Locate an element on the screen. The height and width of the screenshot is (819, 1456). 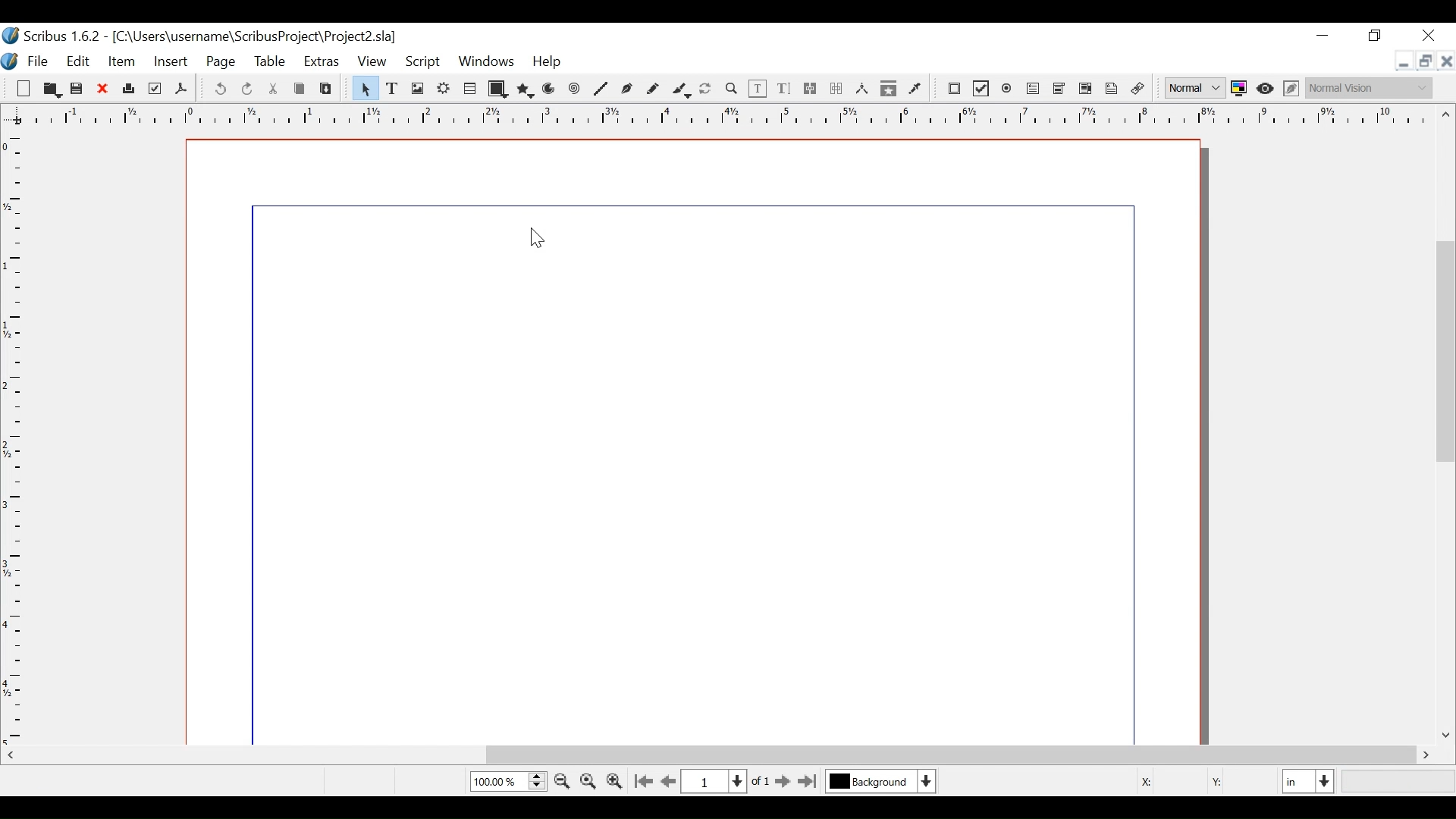
Edit in Preview mode is located at coordinates (1293, 88).